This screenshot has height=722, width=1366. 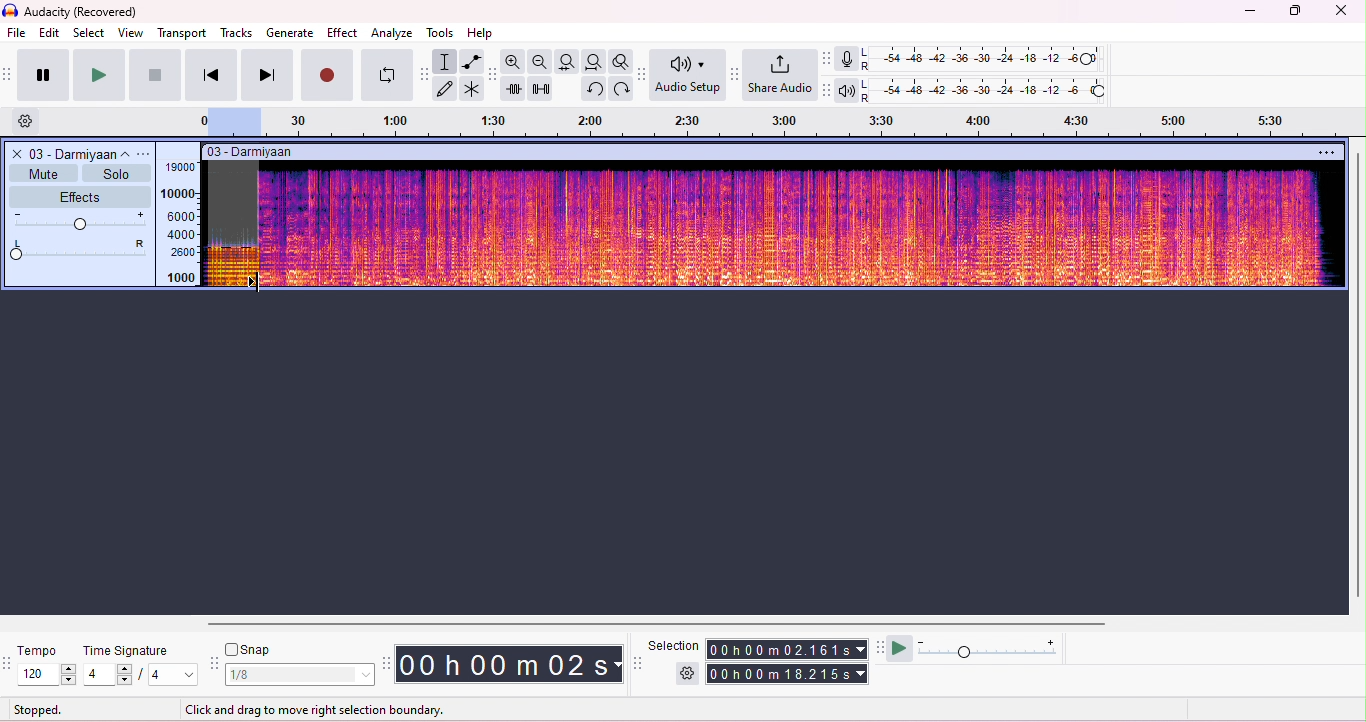 I want to click on tracks, so click(x=237, y=34).